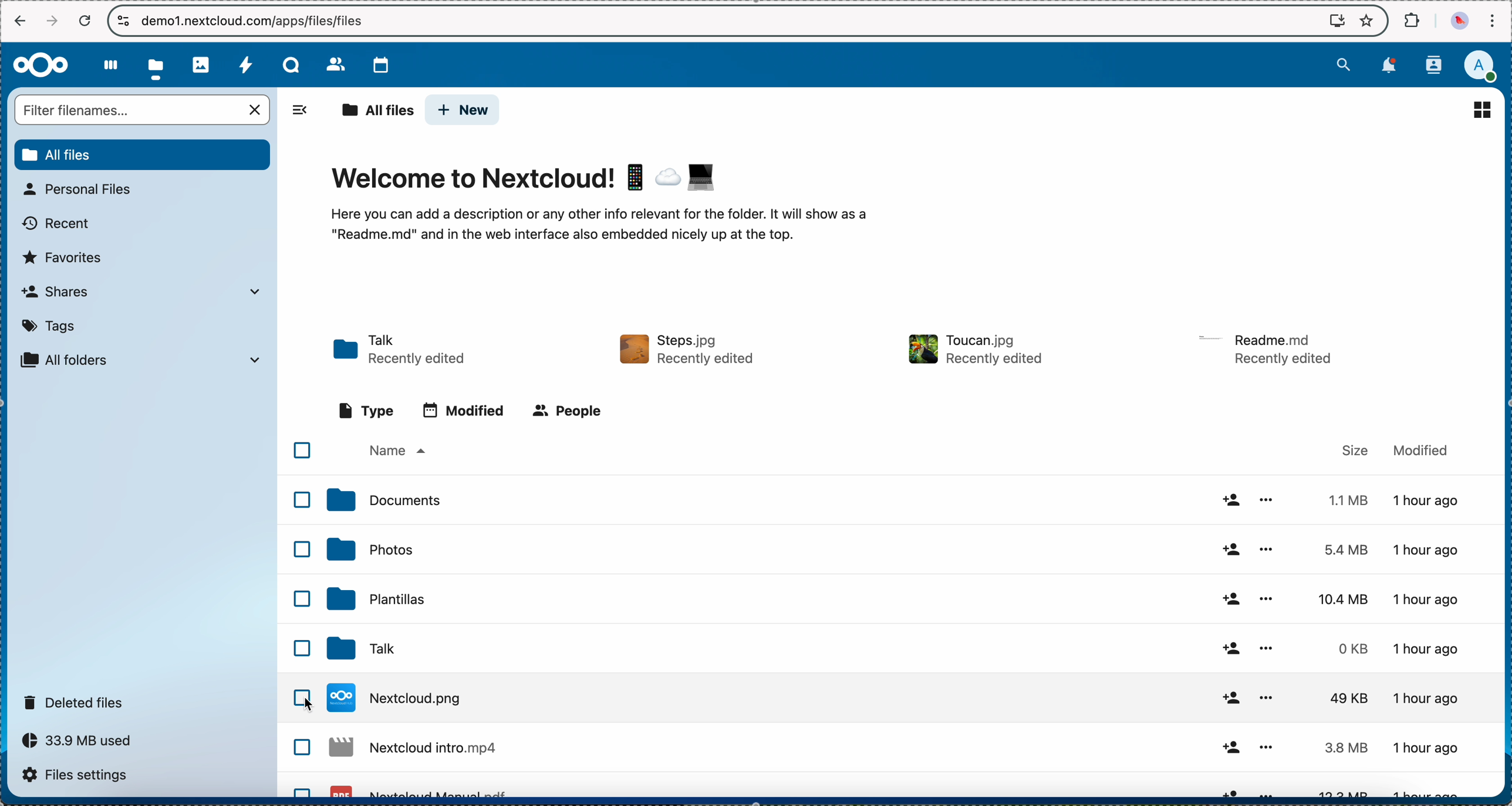 This screenshot has width=1512, height=806. Describe the element at coordinates (975, 350) in the screenshot. I see `file` at that location.